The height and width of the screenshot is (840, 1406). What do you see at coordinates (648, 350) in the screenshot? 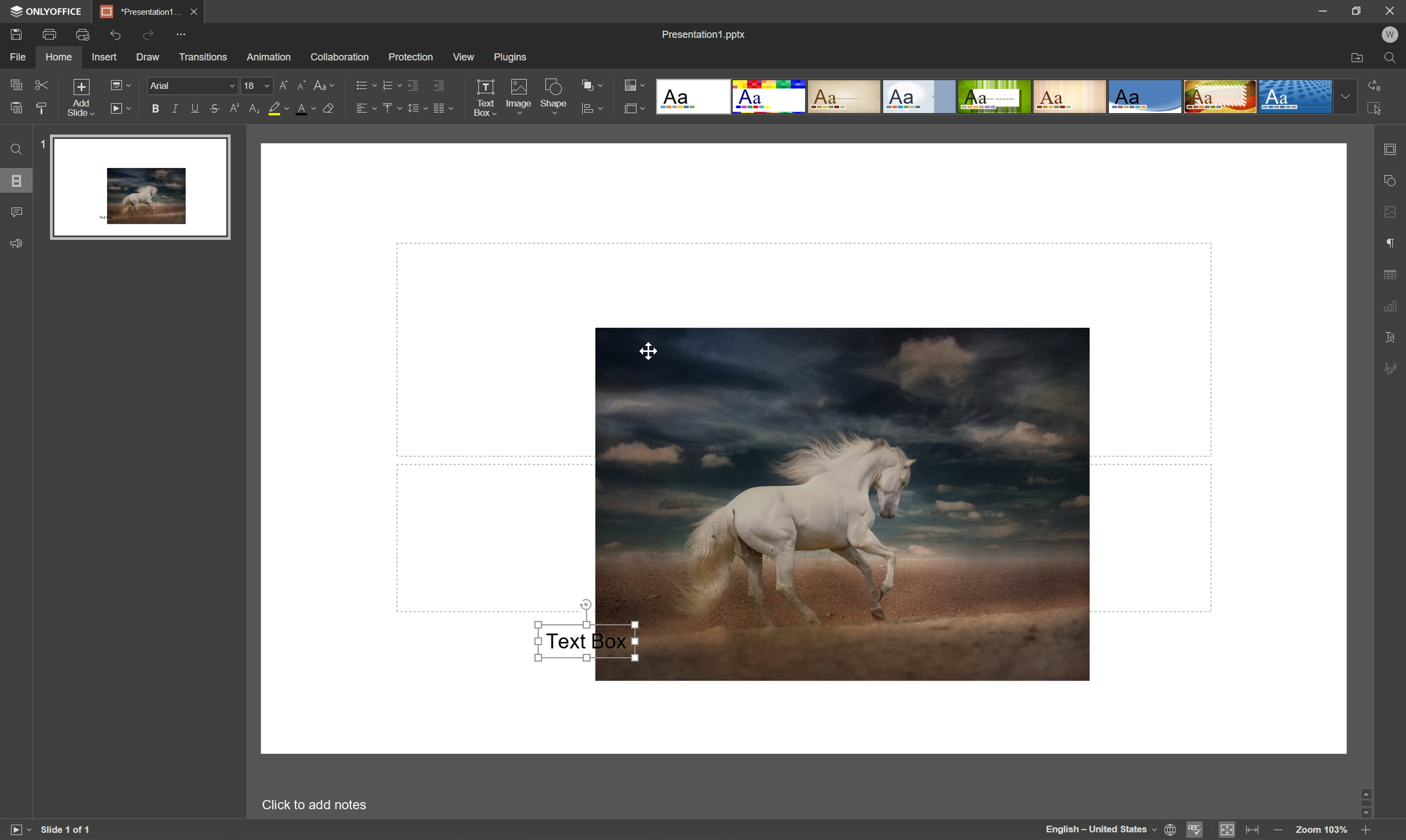
I see `Cursor Position AFTER_LAST_ACTION` at bounding box center [648, 350].